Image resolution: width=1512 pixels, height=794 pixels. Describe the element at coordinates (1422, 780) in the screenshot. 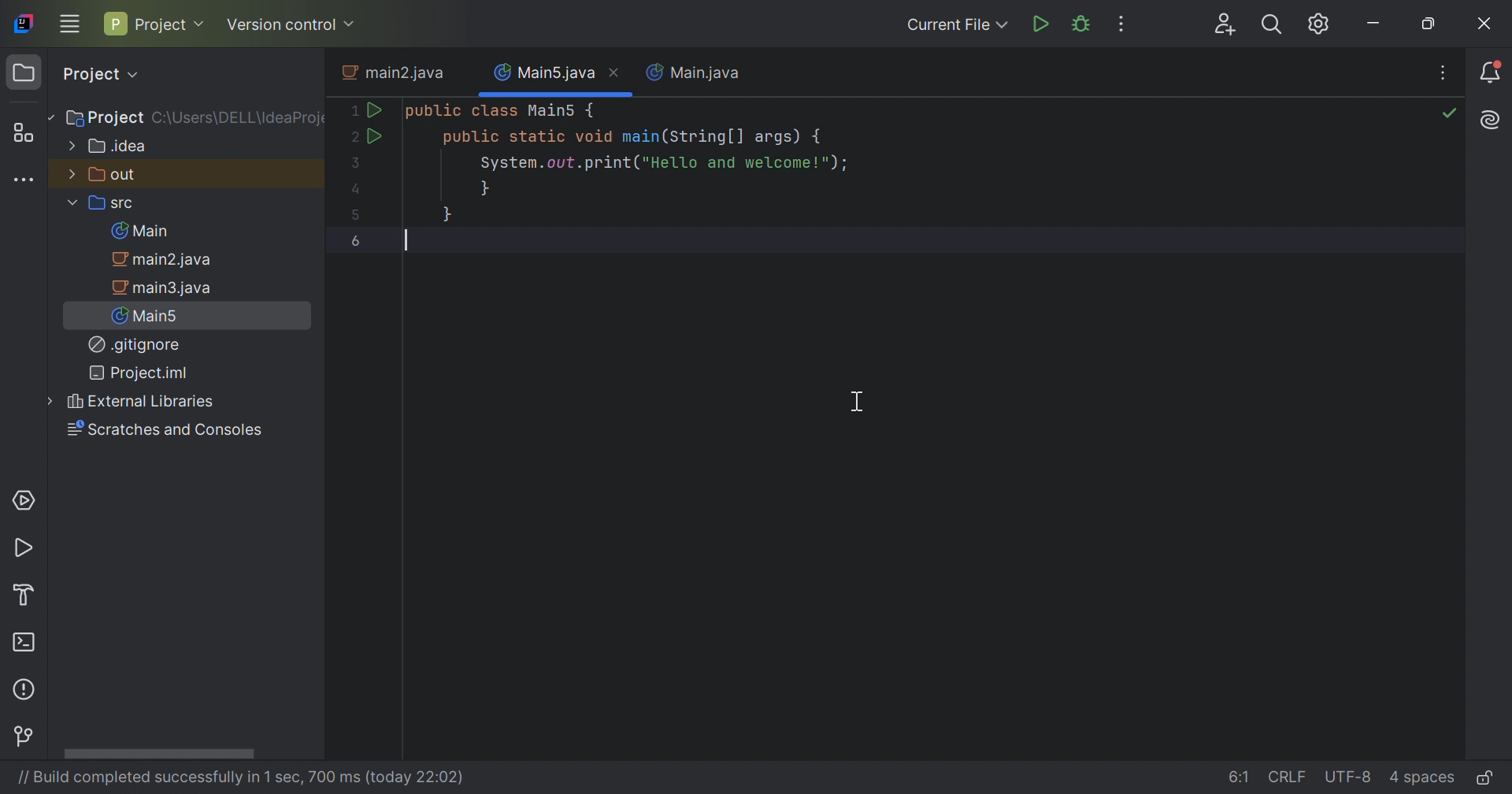

I see `indent: 4 spaces` at that location.